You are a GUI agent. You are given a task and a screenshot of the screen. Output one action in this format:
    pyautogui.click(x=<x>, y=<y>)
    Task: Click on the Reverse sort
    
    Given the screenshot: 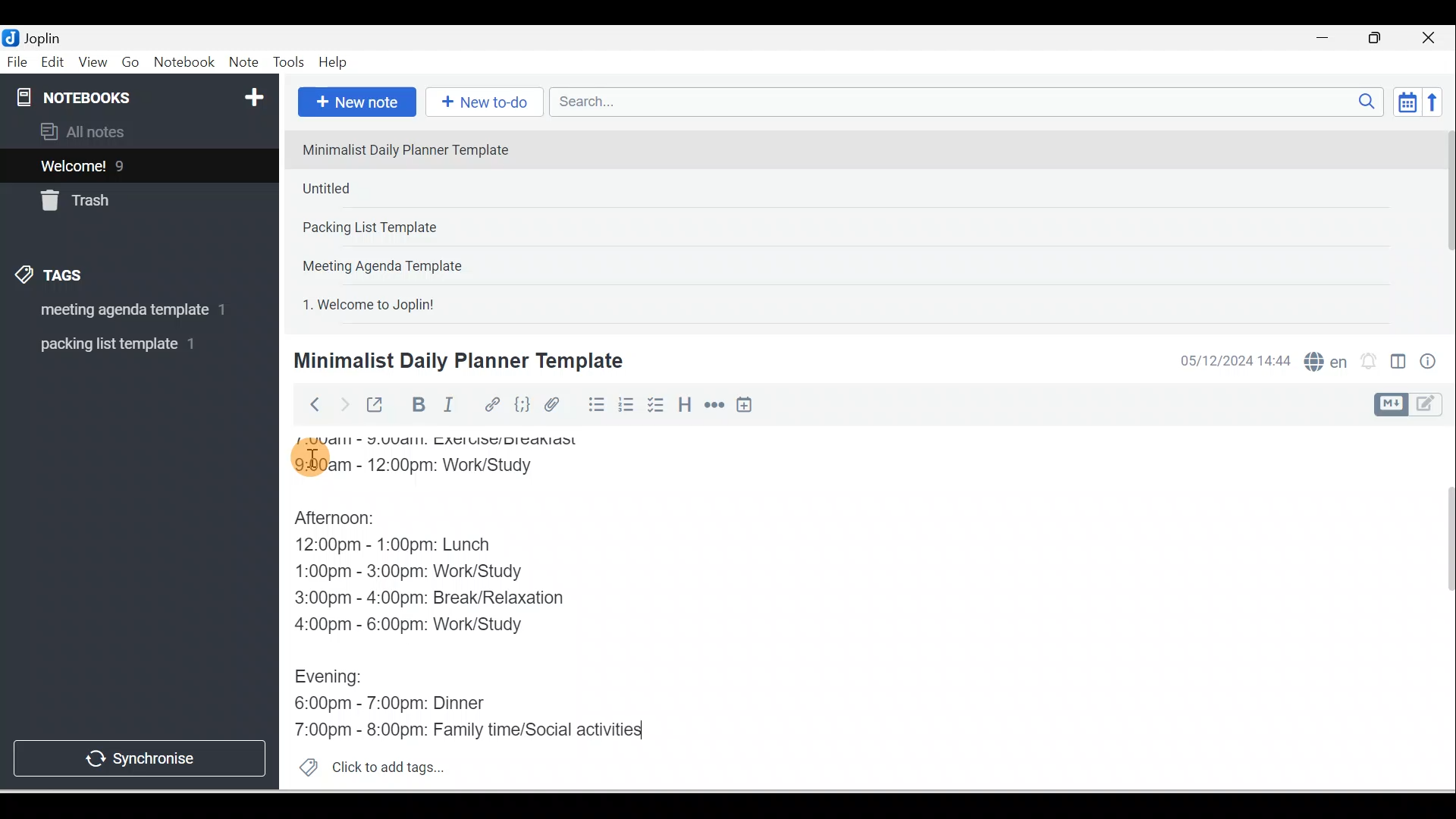 What is the action you would take?
    pyautogui.click(x=1437, y=102)
    